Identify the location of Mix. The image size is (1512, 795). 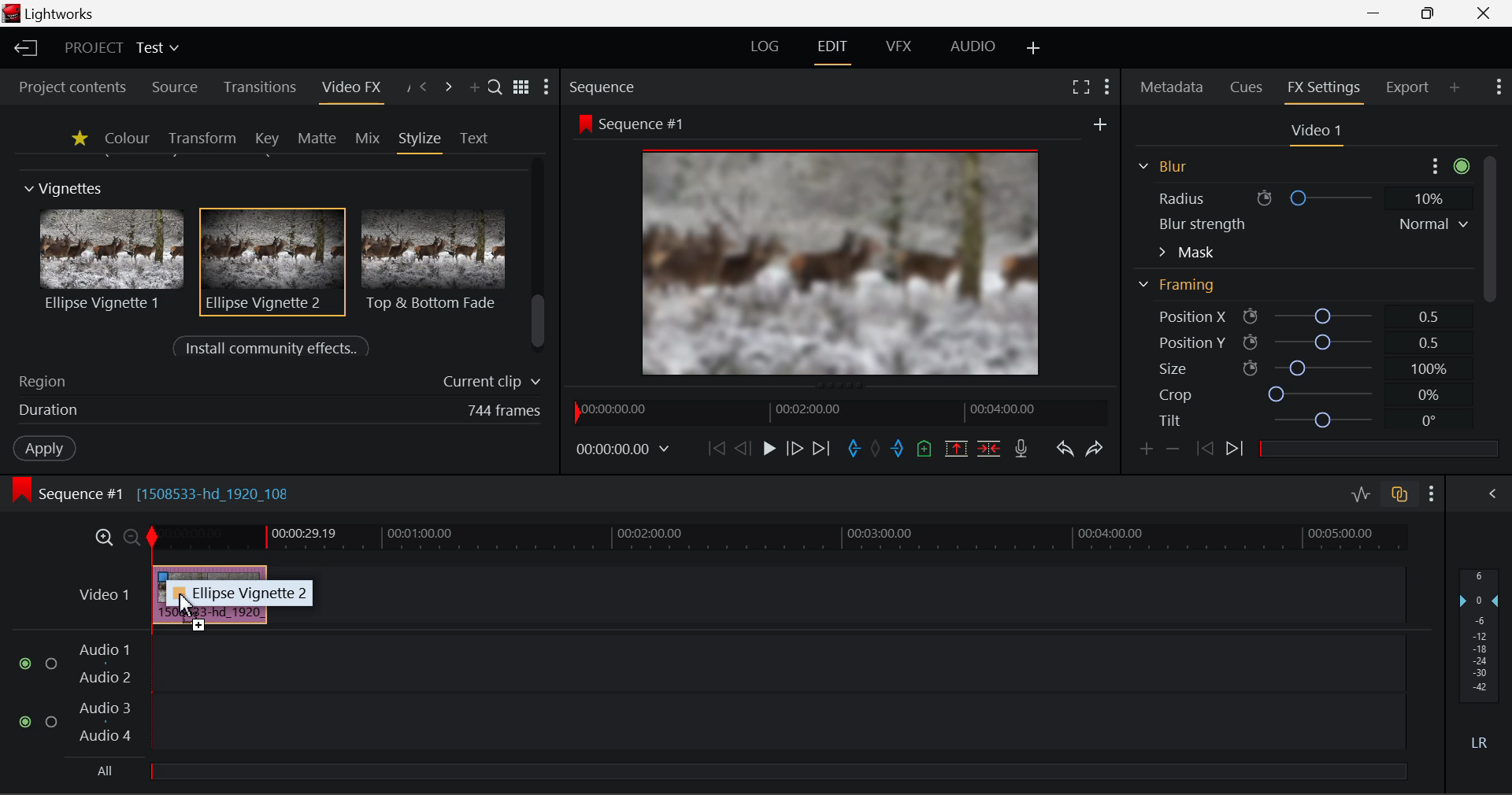
(367, 137).